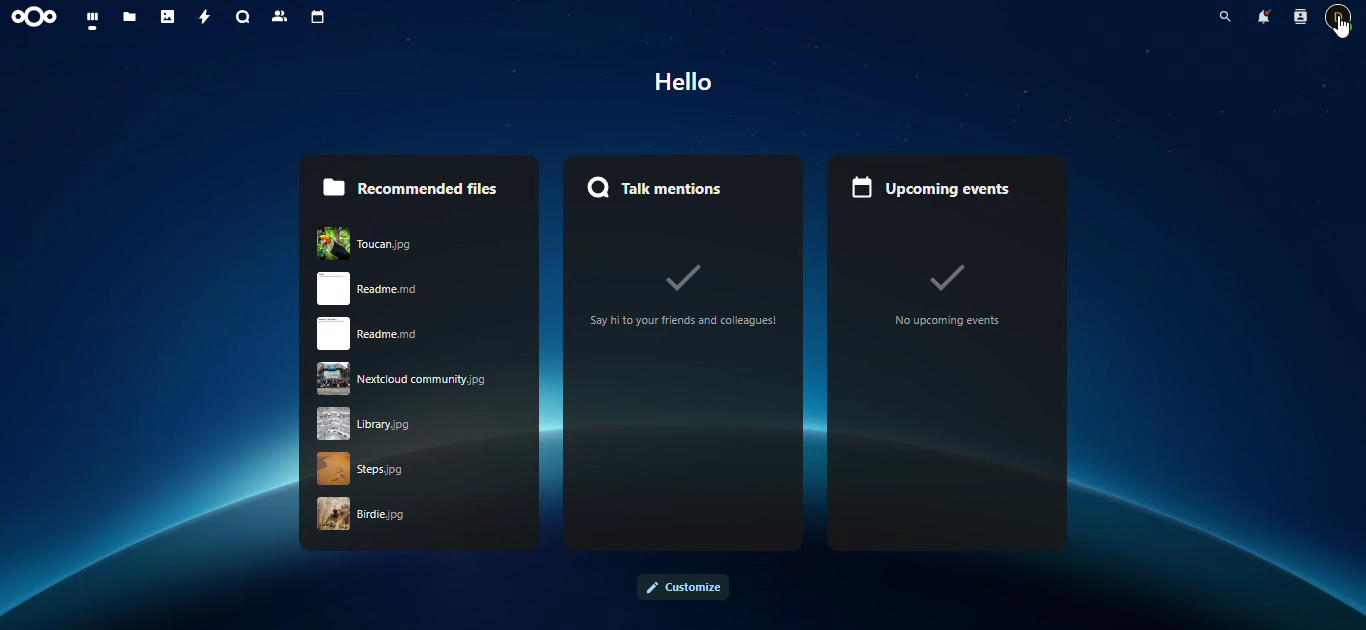 The height and width of the screenshot is (630, 1366). Describe the element at coordinates (1300, 16) in the screenshot. I see `contacts` at that location.